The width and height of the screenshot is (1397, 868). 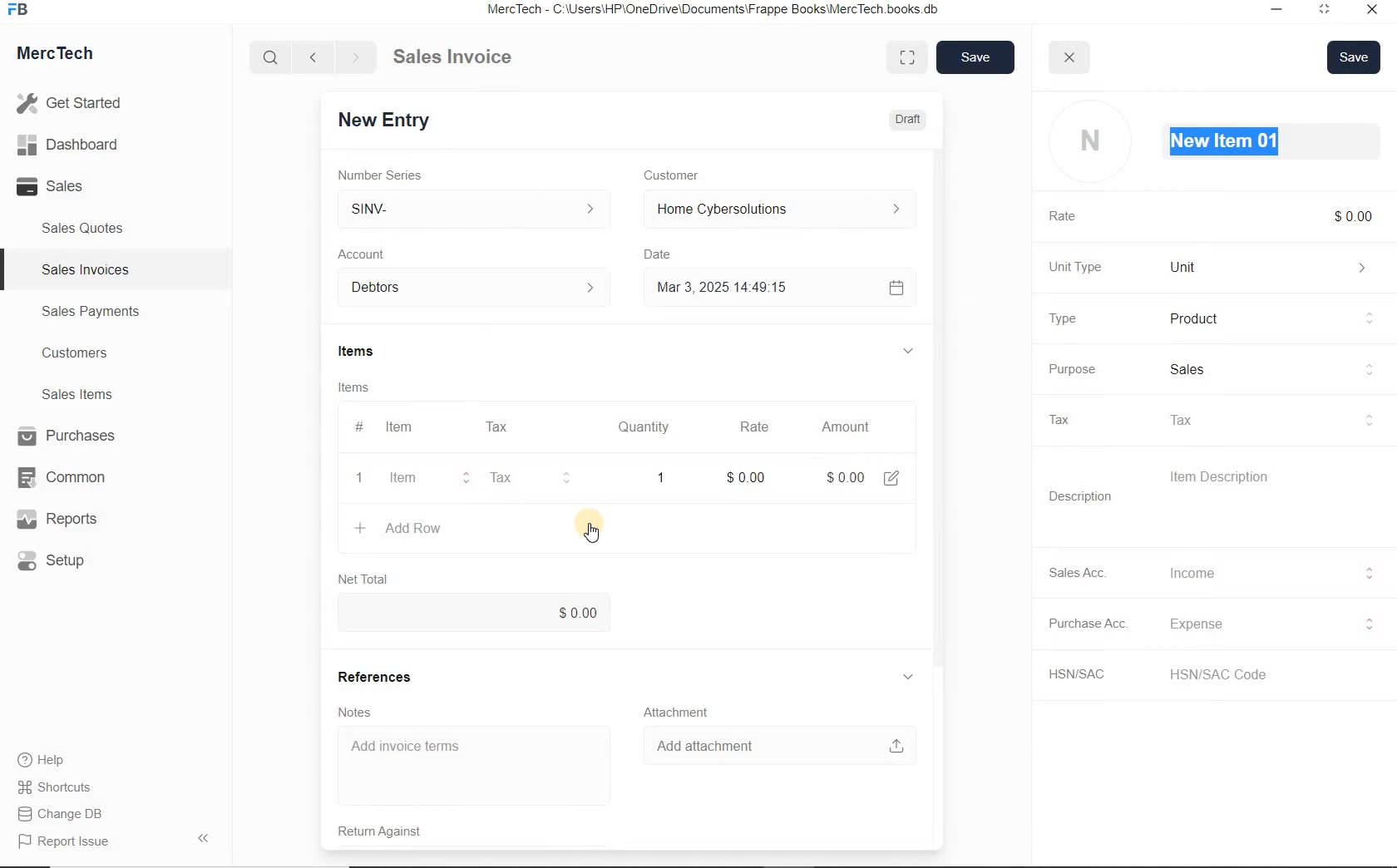 I want to click on Product, so click(x=1272, y=318).